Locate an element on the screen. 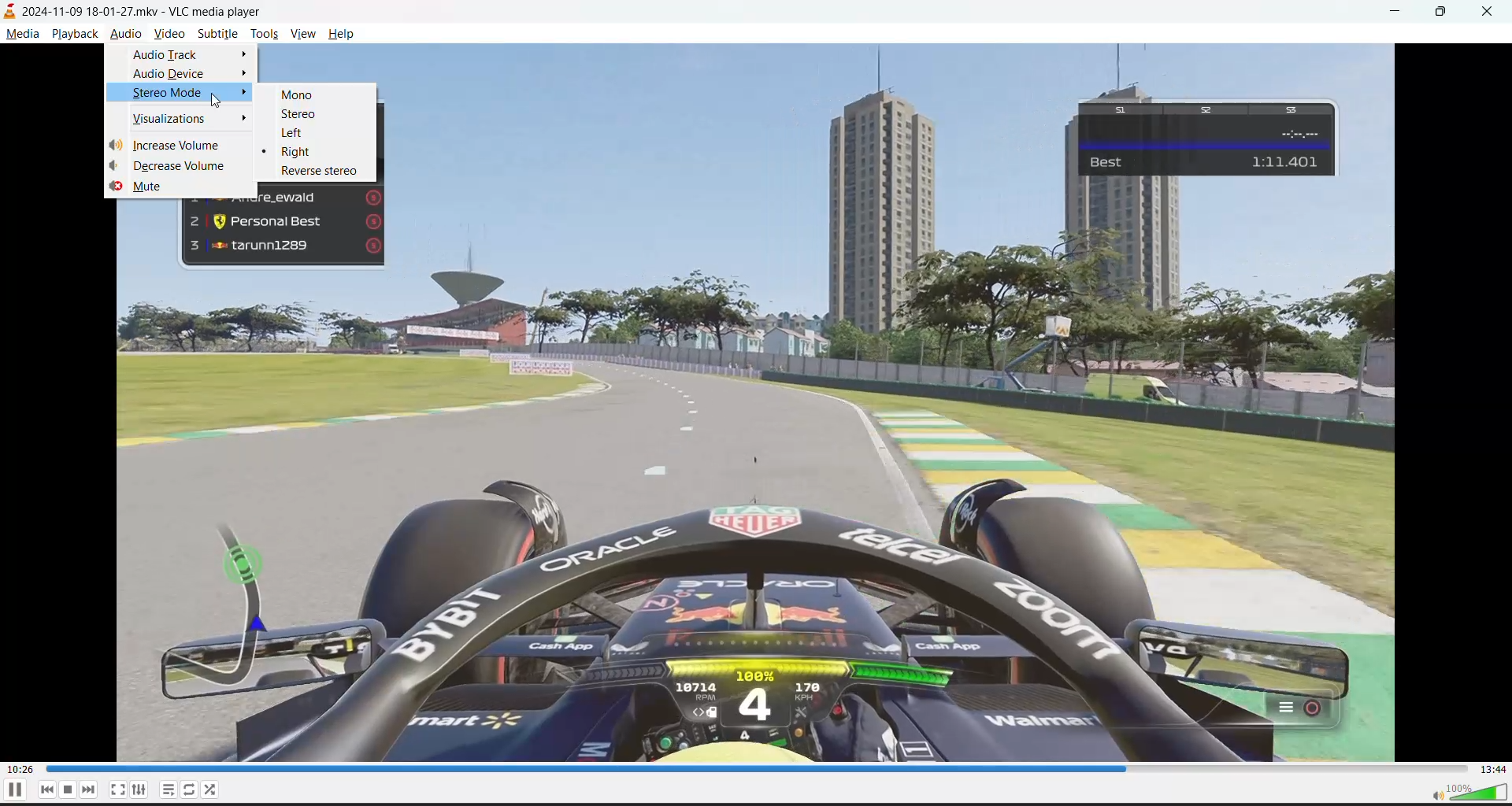 The image size is (1512, 806). next is located at coordinates (87, 790).